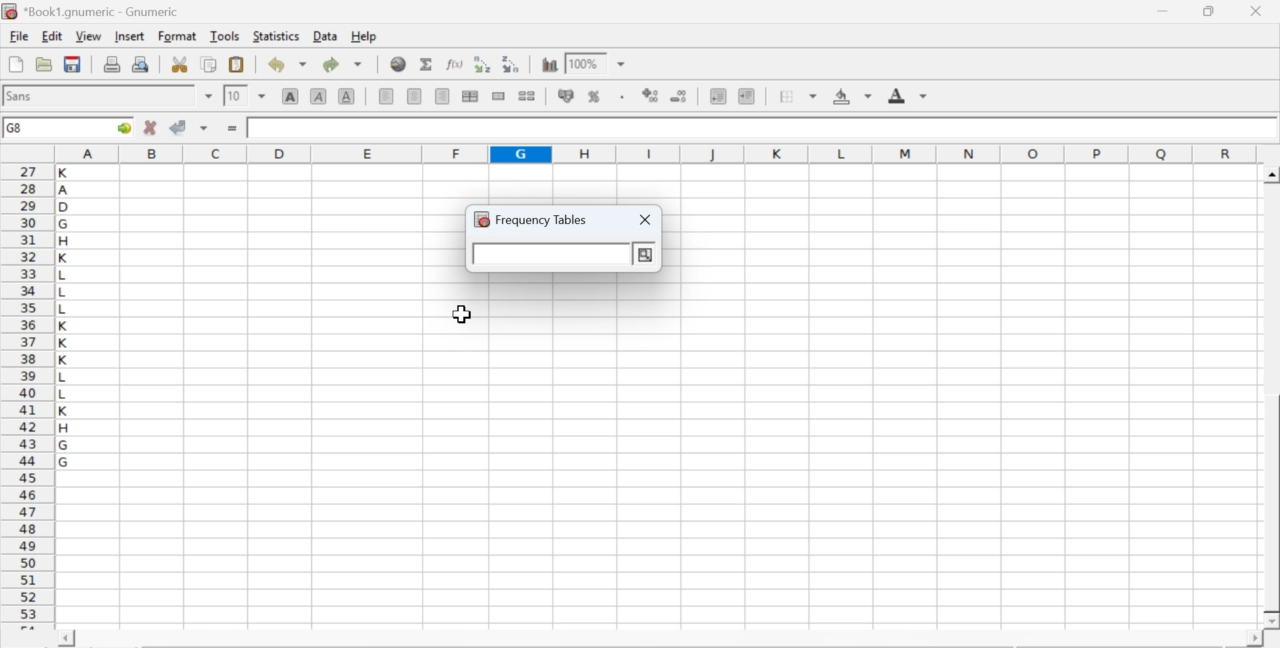  I want to click on center horizontally, so click(470, 96).